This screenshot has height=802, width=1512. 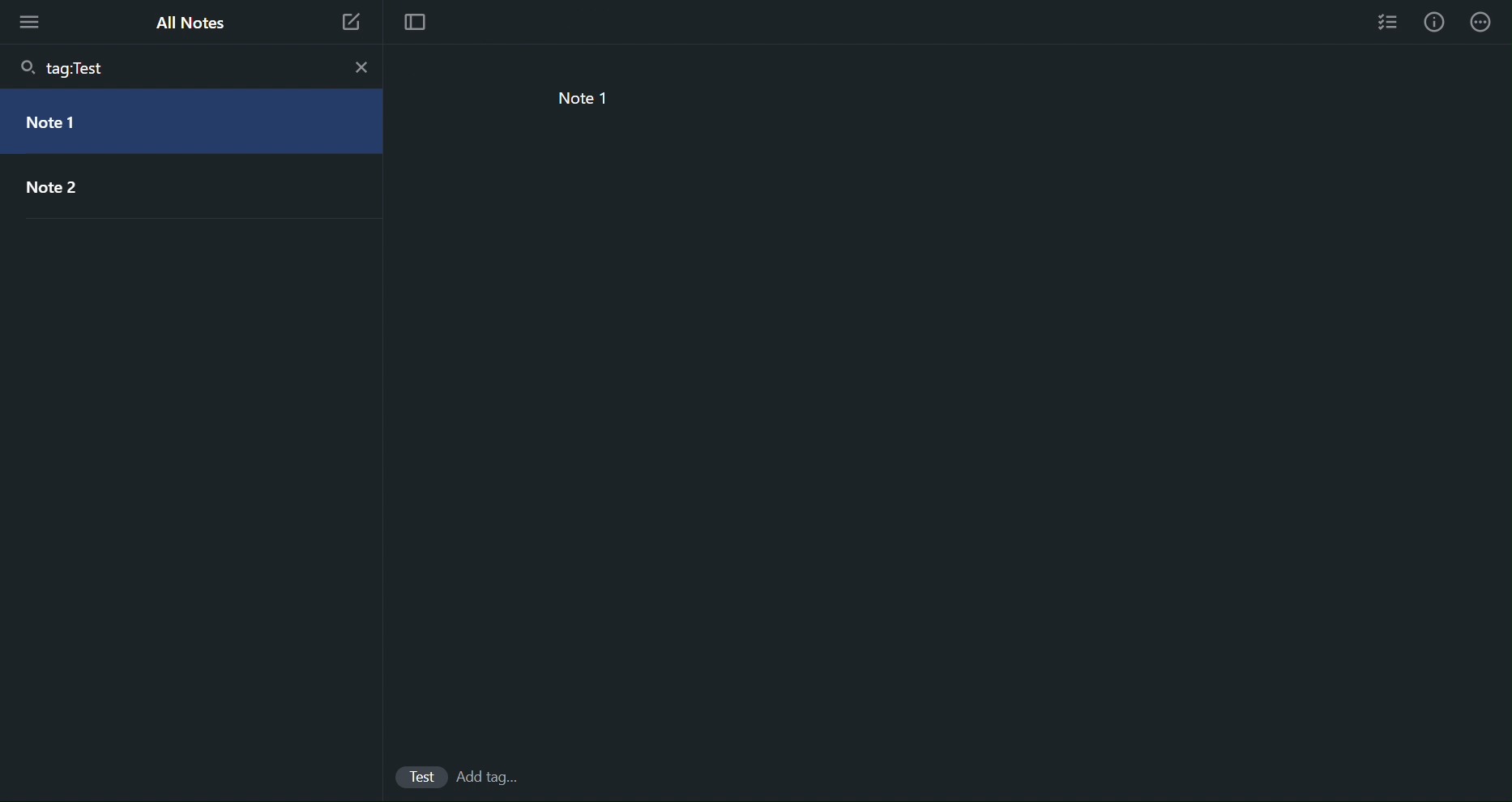 What do you see at coordinates (1384, 20) in the screenshot?
I see `Checklist` at bounding box center [1384, 20].